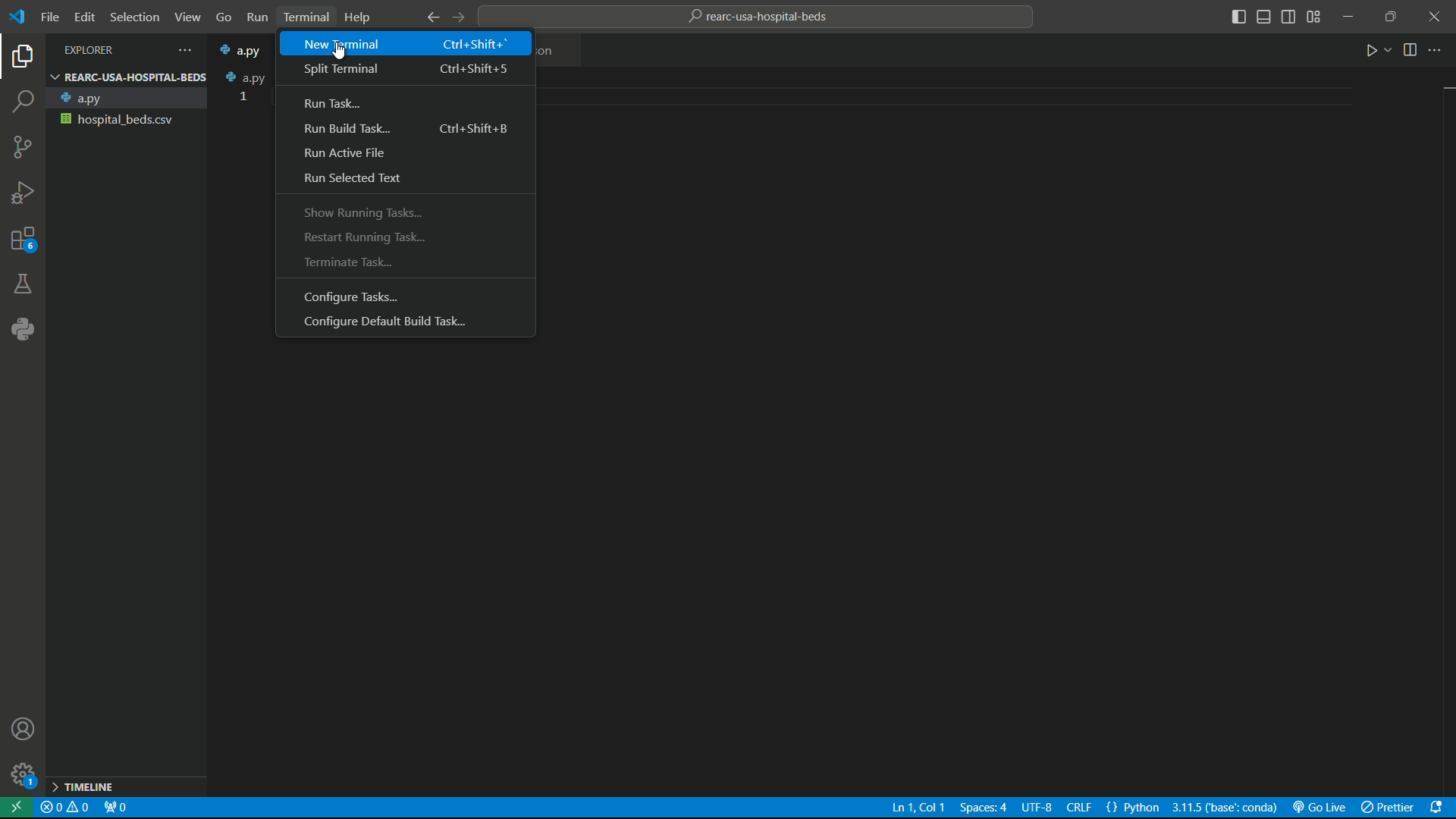  Describe the element at coordinates (1435, 17) in the screenshot. I see `close app` at that location.